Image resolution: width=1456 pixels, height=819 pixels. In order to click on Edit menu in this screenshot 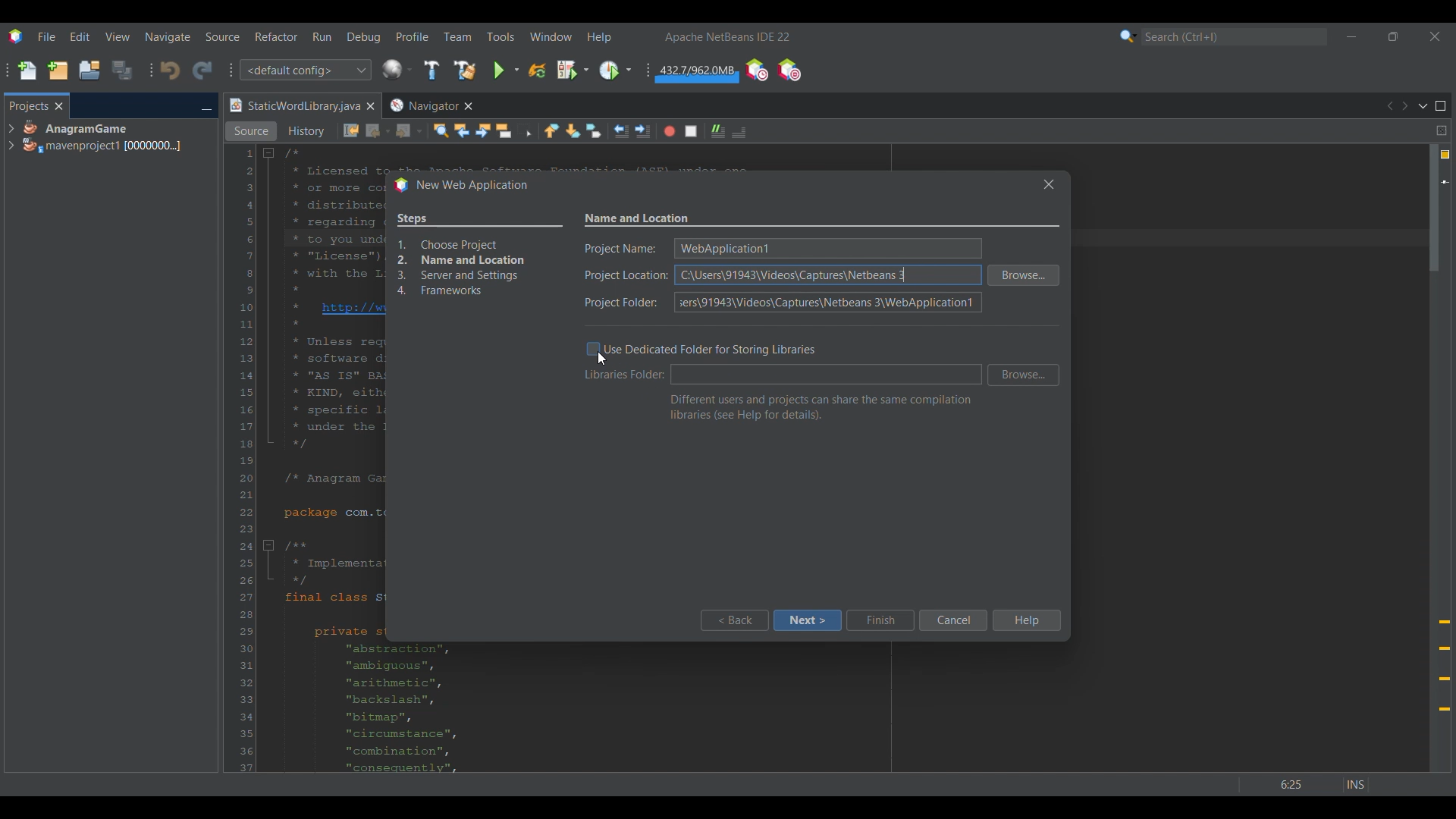, I will do `click(80, 37)`.